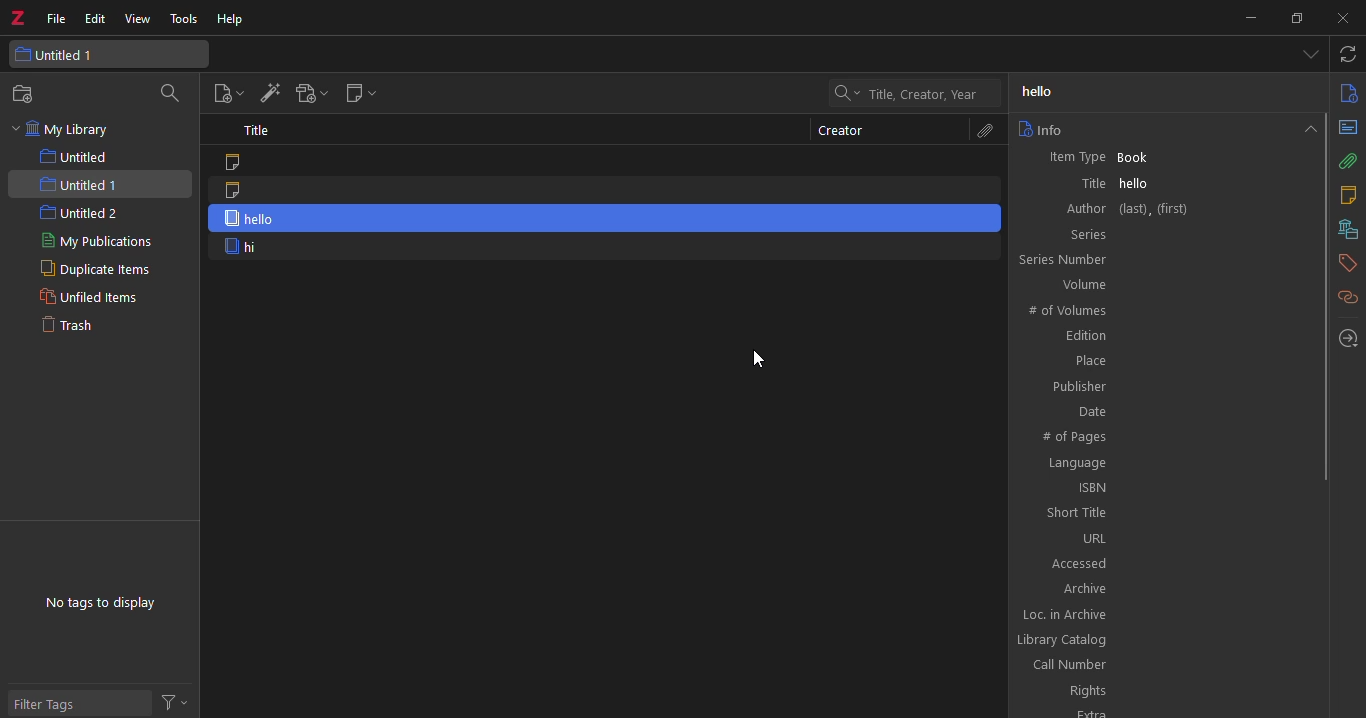 The width and height of the screenshot is (1366, 718). I want to click on edit, so click(96, 17).